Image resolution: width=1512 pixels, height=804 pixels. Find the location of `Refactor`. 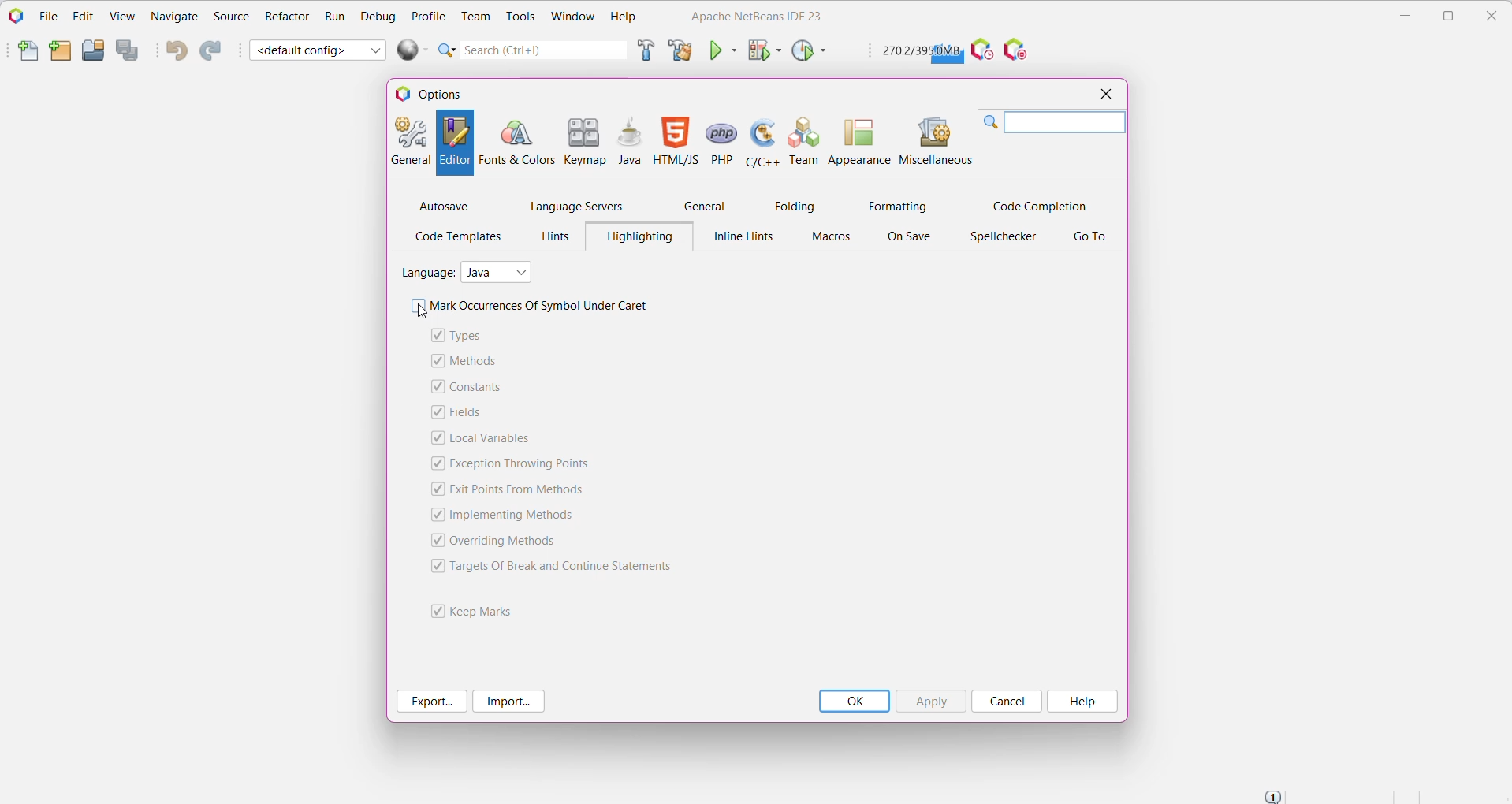

Refactor is located at coordinates (286, 19).